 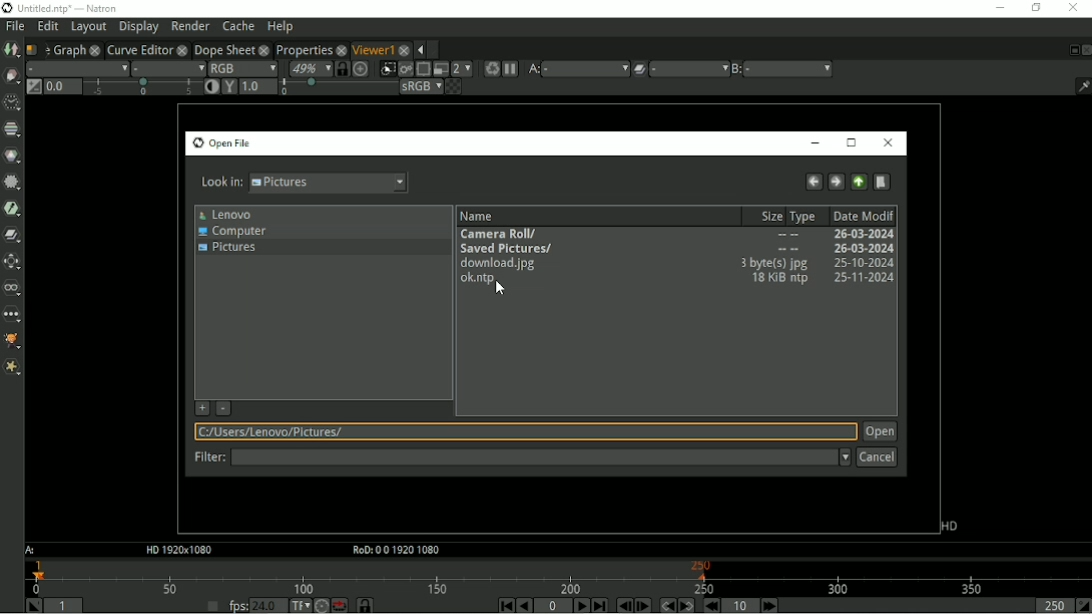 What do you see at coordinates (1071, 50) in the screenshot?
I see `Float pane` at bounding box center [1071, 50].